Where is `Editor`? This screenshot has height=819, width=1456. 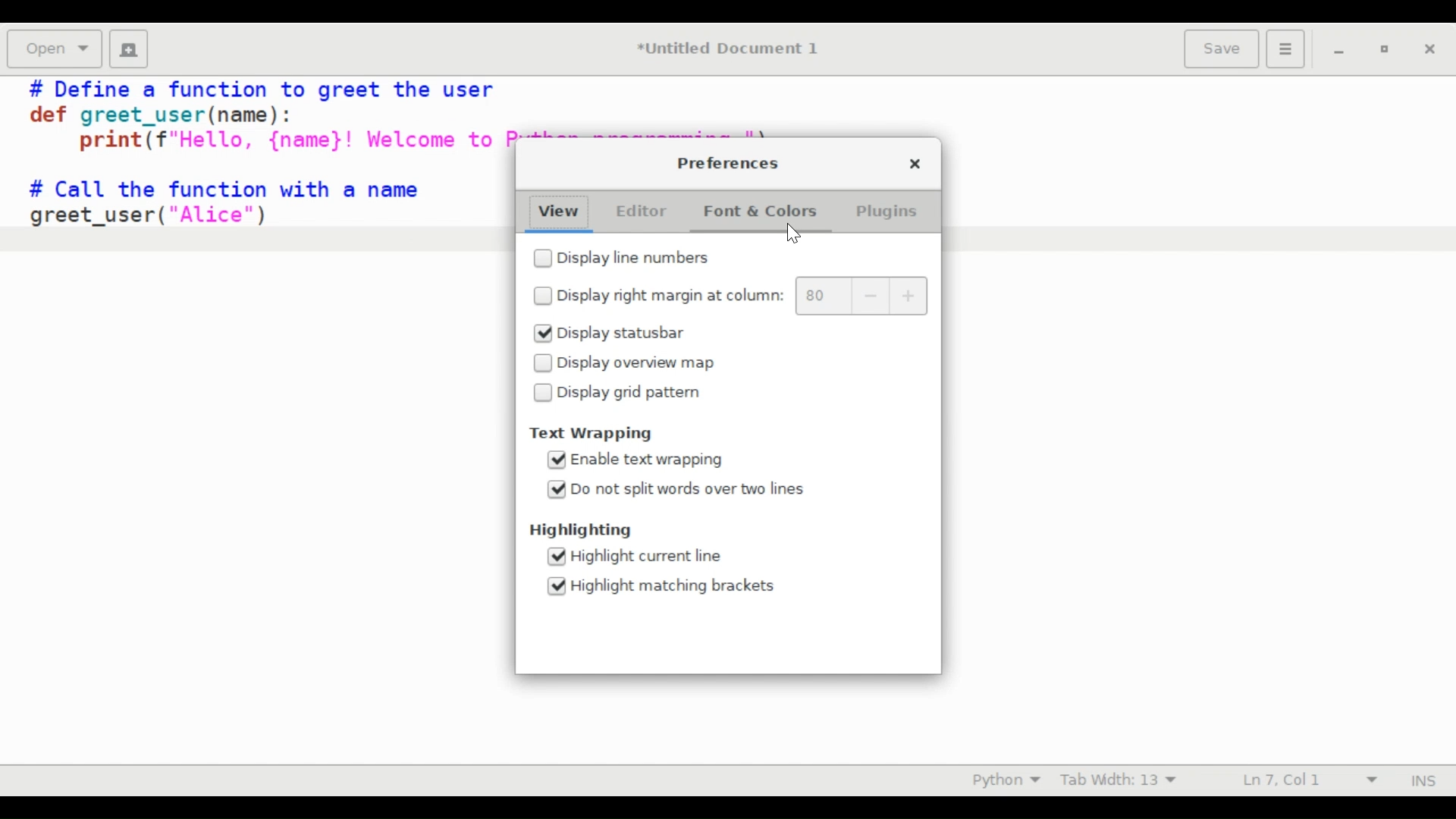 Editor is located at coordinates (645, 212).